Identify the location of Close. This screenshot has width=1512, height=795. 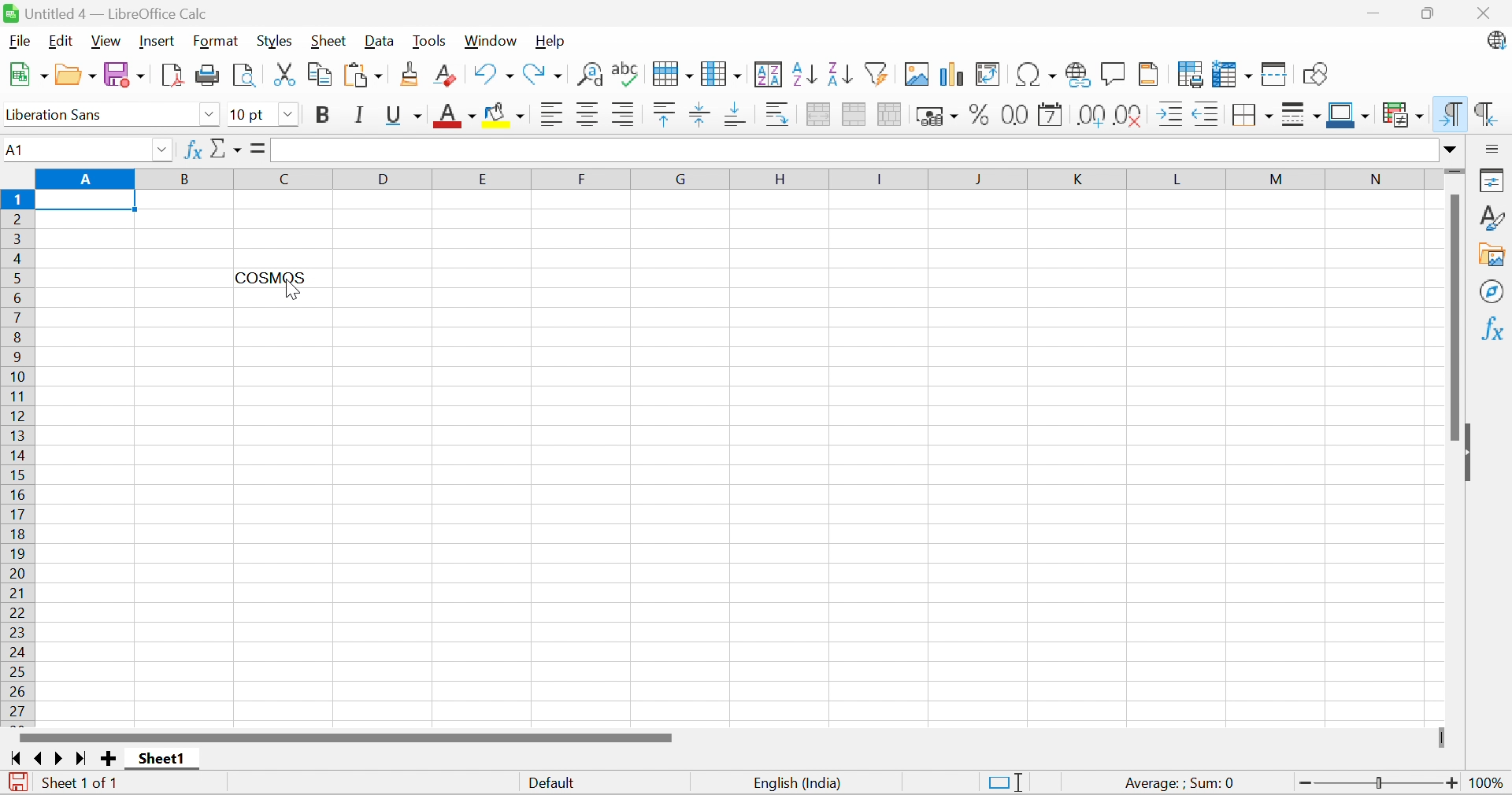
(1486, 14).